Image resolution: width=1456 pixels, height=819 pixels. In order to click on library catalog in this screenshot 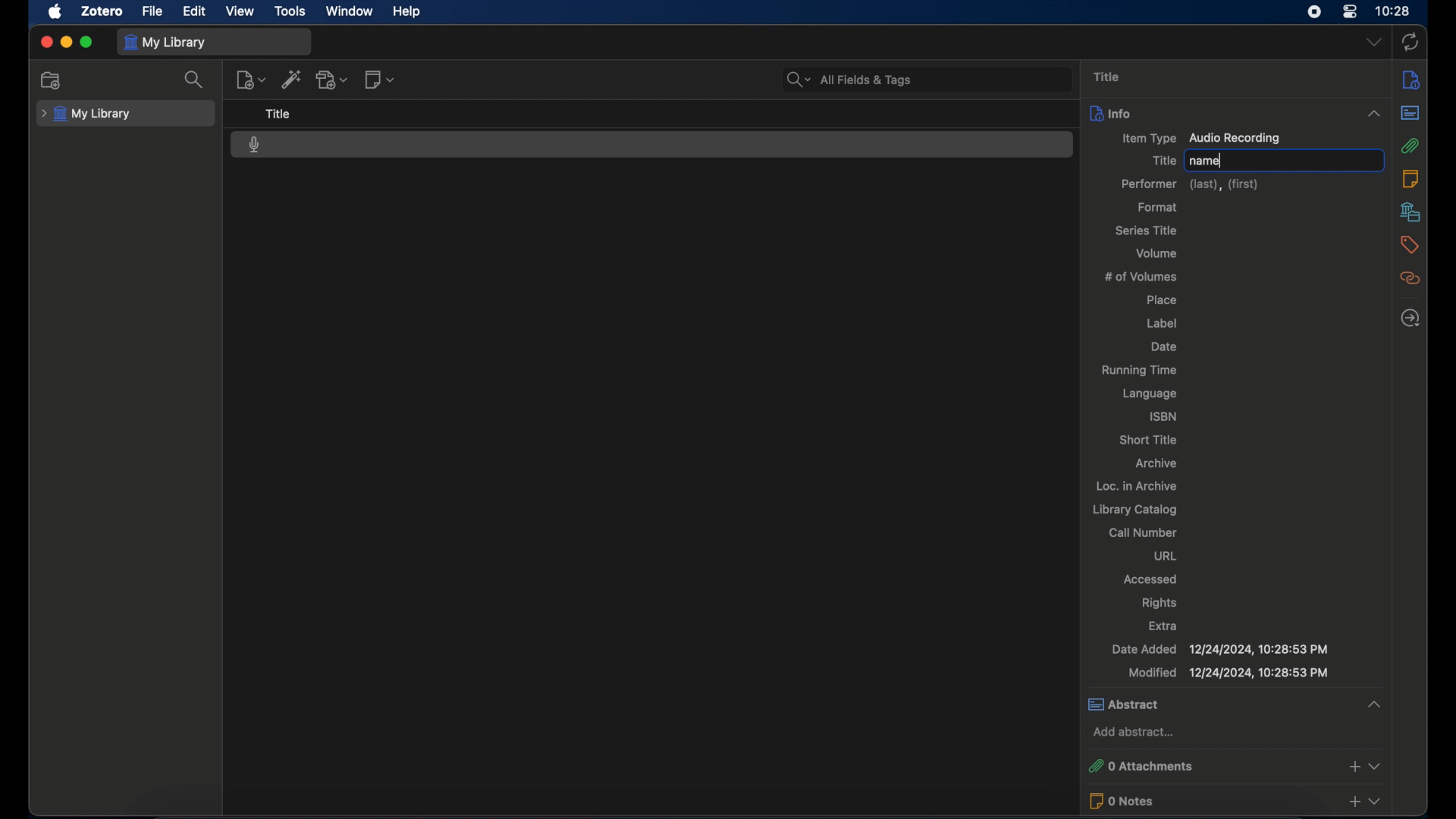, I will do `click(1136, 510)`.